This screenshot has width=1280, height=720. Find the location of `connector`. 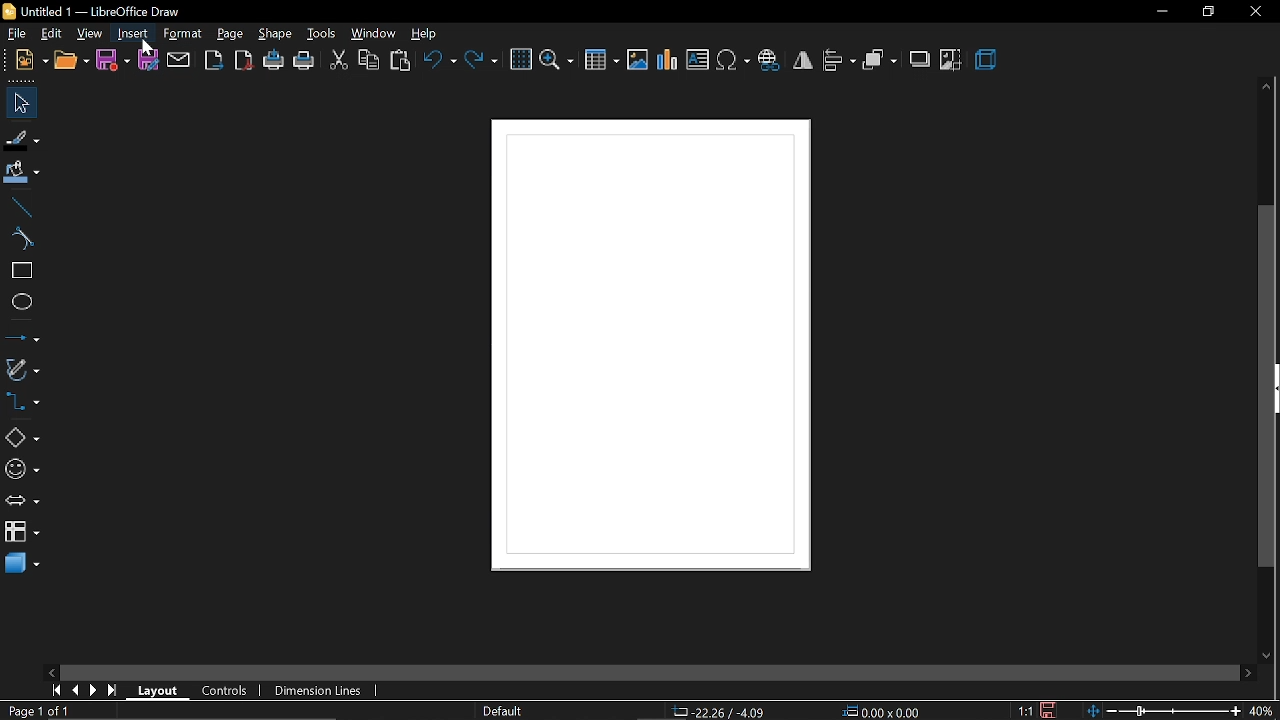

connector is located at coordinates (23, 402).